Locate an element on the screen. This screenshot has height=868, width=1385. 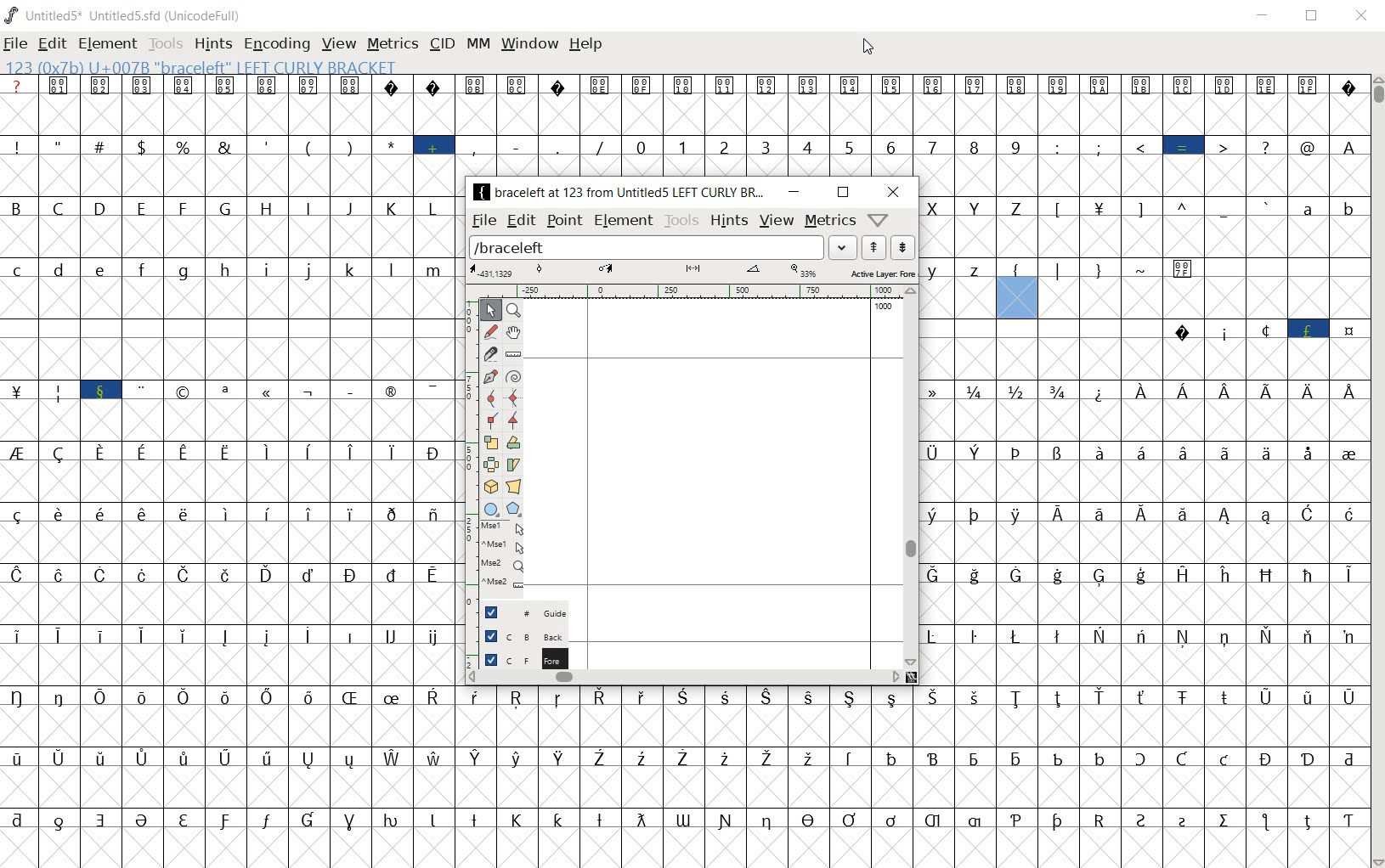
close is located at coordinates (1363, 13).